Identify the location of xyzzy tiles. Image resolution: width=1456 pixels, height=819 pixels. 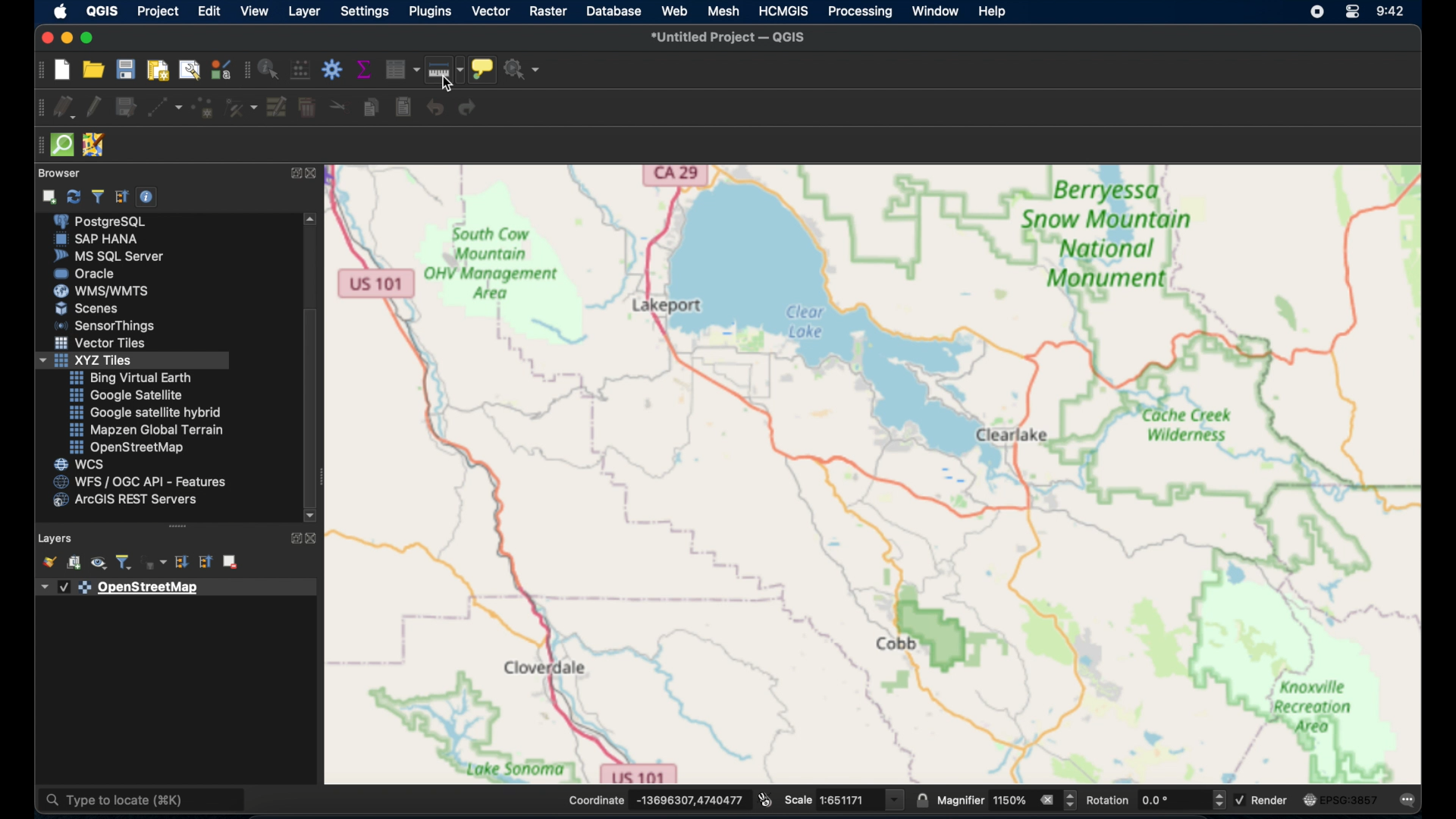
(133, 361).